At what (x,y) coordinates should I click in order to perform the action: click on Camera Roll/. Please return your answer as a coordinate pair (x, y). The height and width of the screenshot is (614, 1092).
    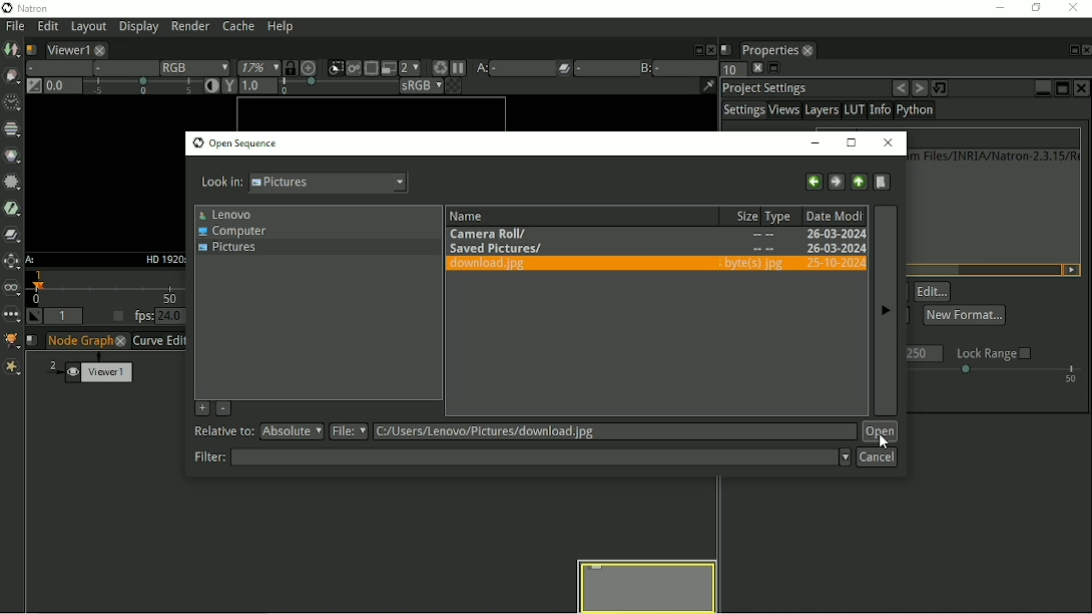
    Looking at the image, I should click on (492, 232).